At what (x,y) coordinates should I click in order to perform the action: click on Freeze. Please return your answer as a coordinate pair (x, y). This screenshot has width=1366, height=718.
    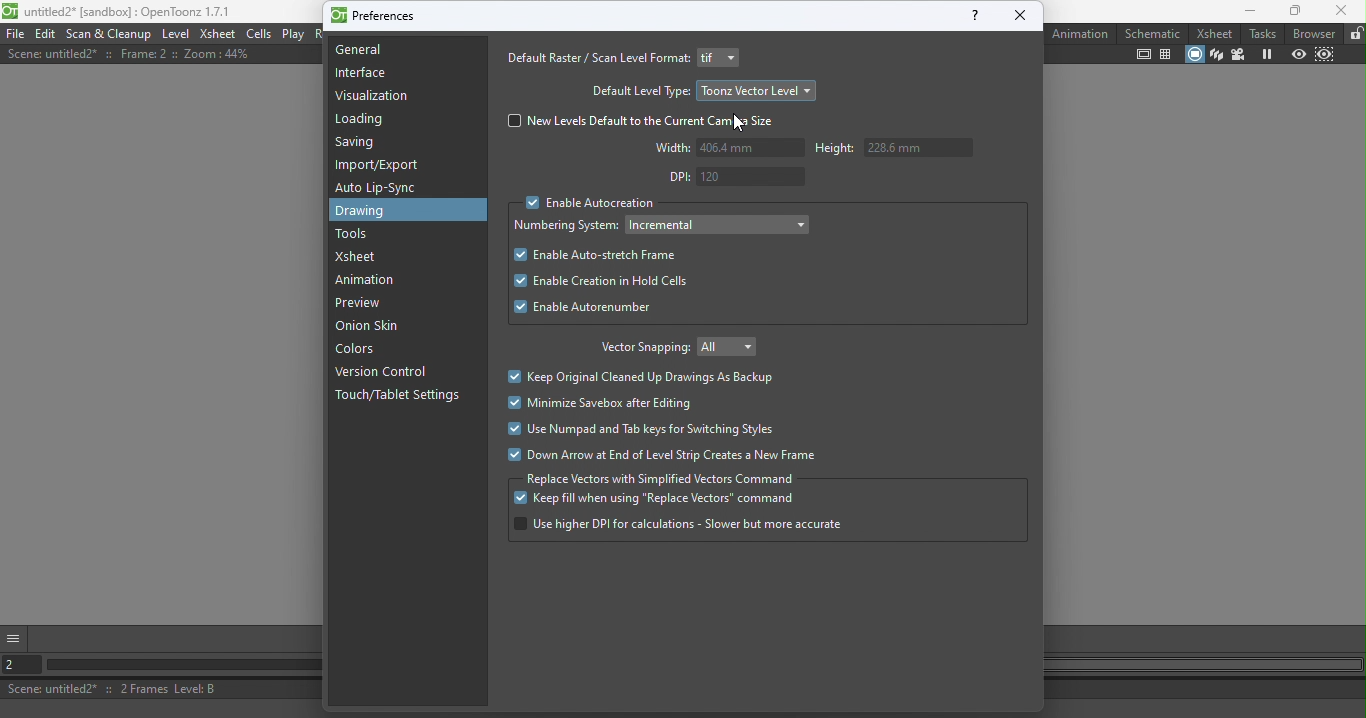
    Looking at the image, I should click on (1266, 54).